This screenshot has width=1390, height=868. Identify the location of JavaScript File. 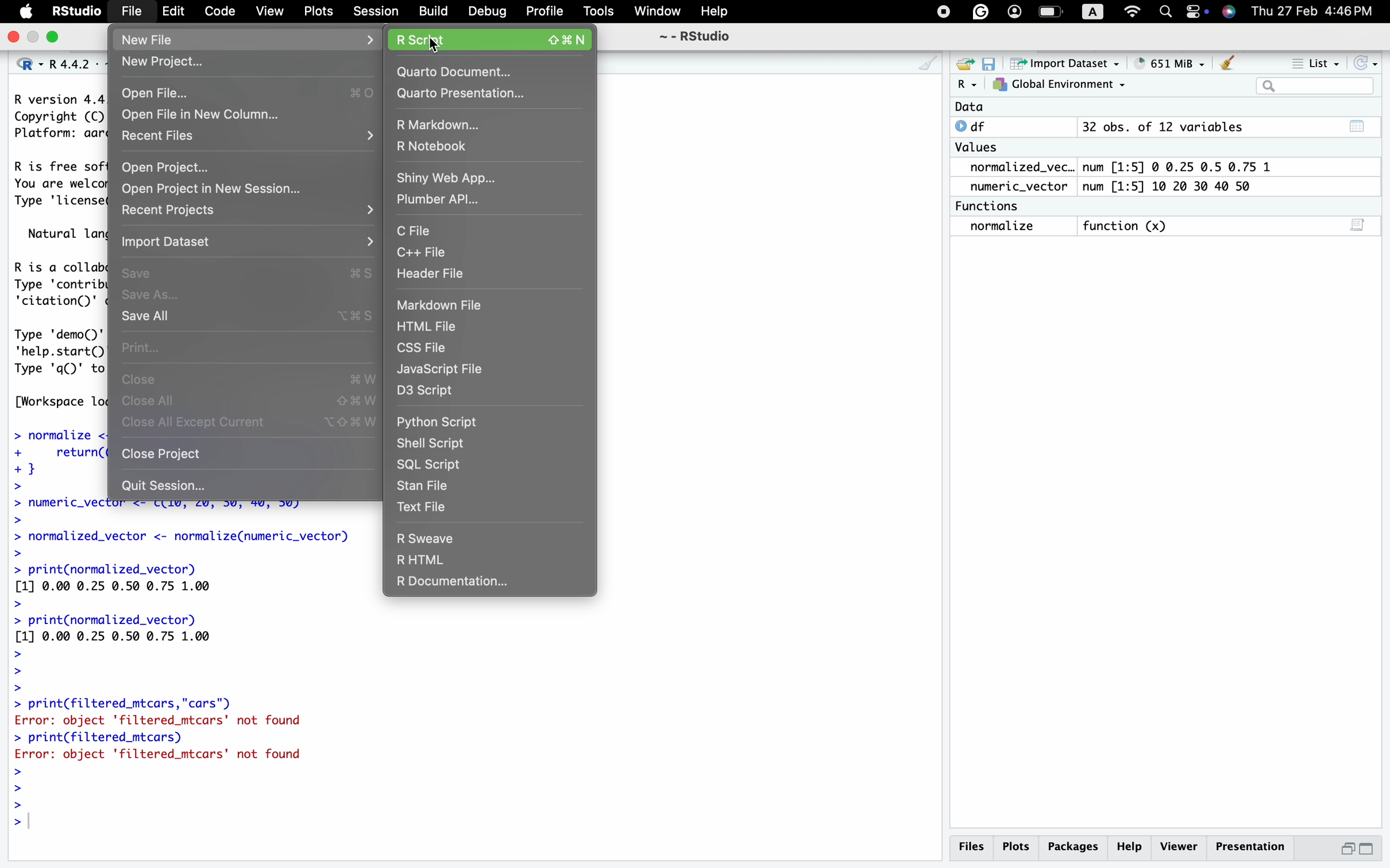
(449, 369).